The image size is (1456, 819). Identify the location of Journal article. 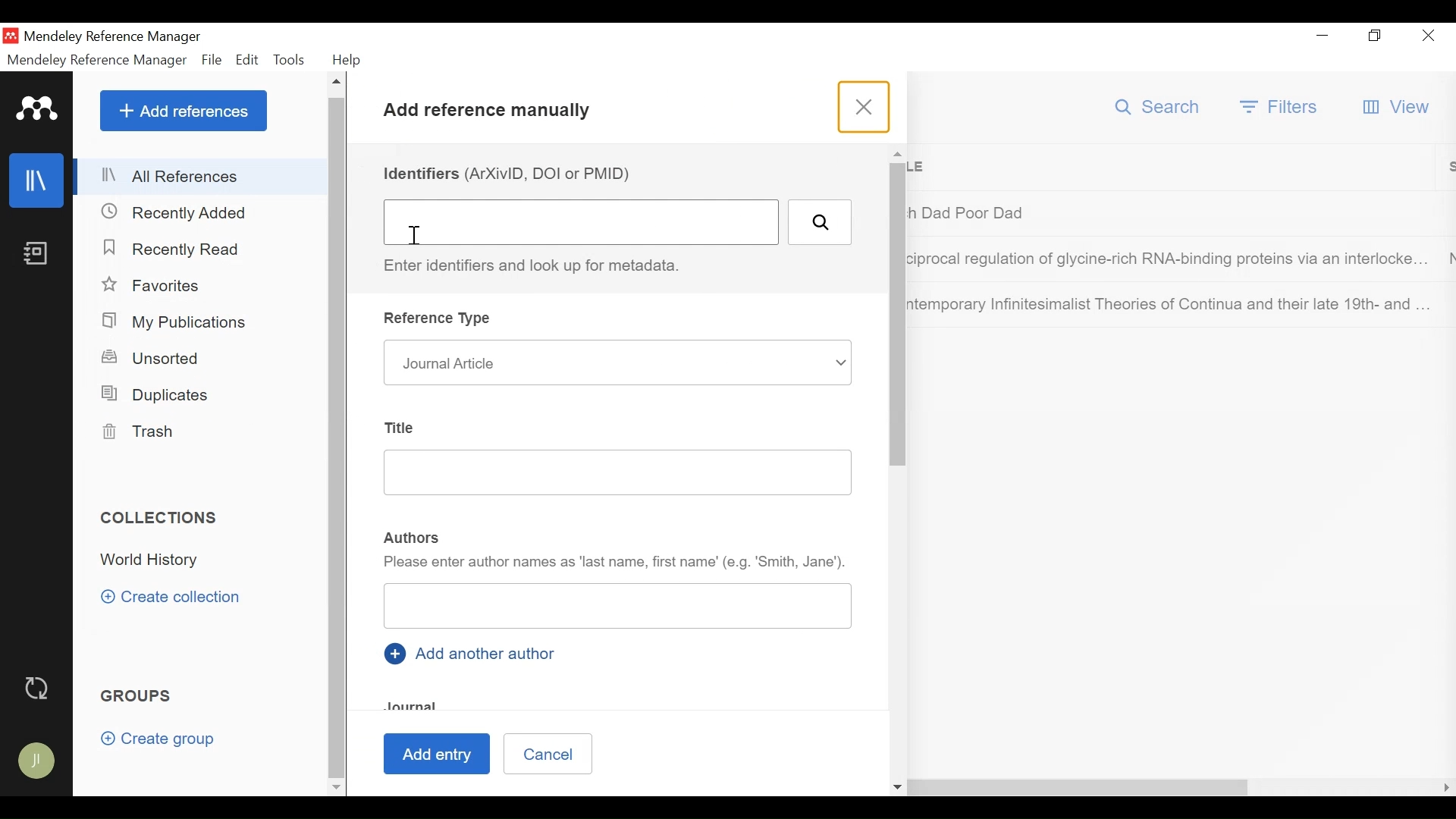
(617, 362).